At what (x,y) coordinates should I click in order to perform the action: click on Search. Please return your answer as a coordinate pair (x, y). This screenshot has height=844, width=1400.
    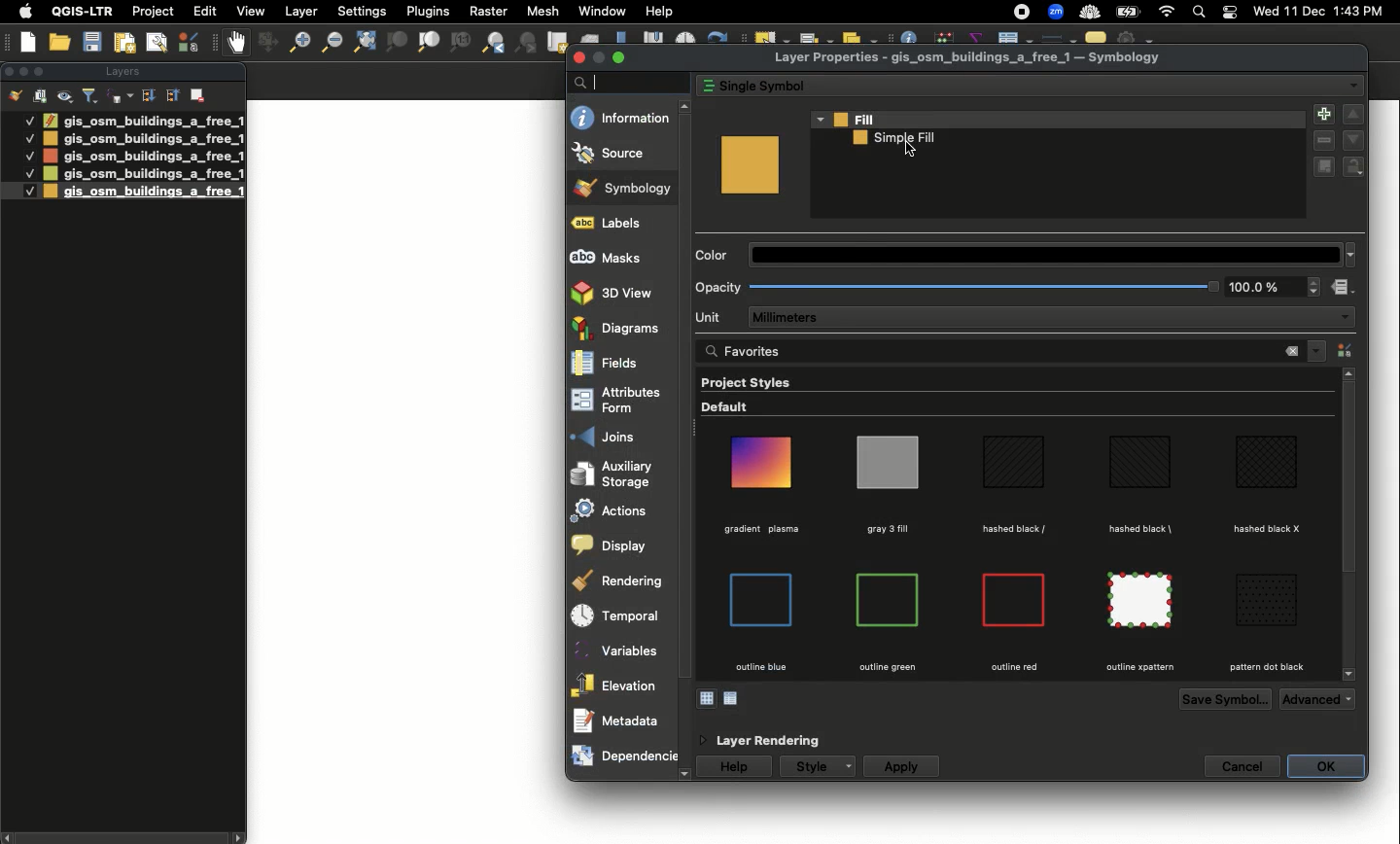
    Looking at the image, I should click on (709, 351).